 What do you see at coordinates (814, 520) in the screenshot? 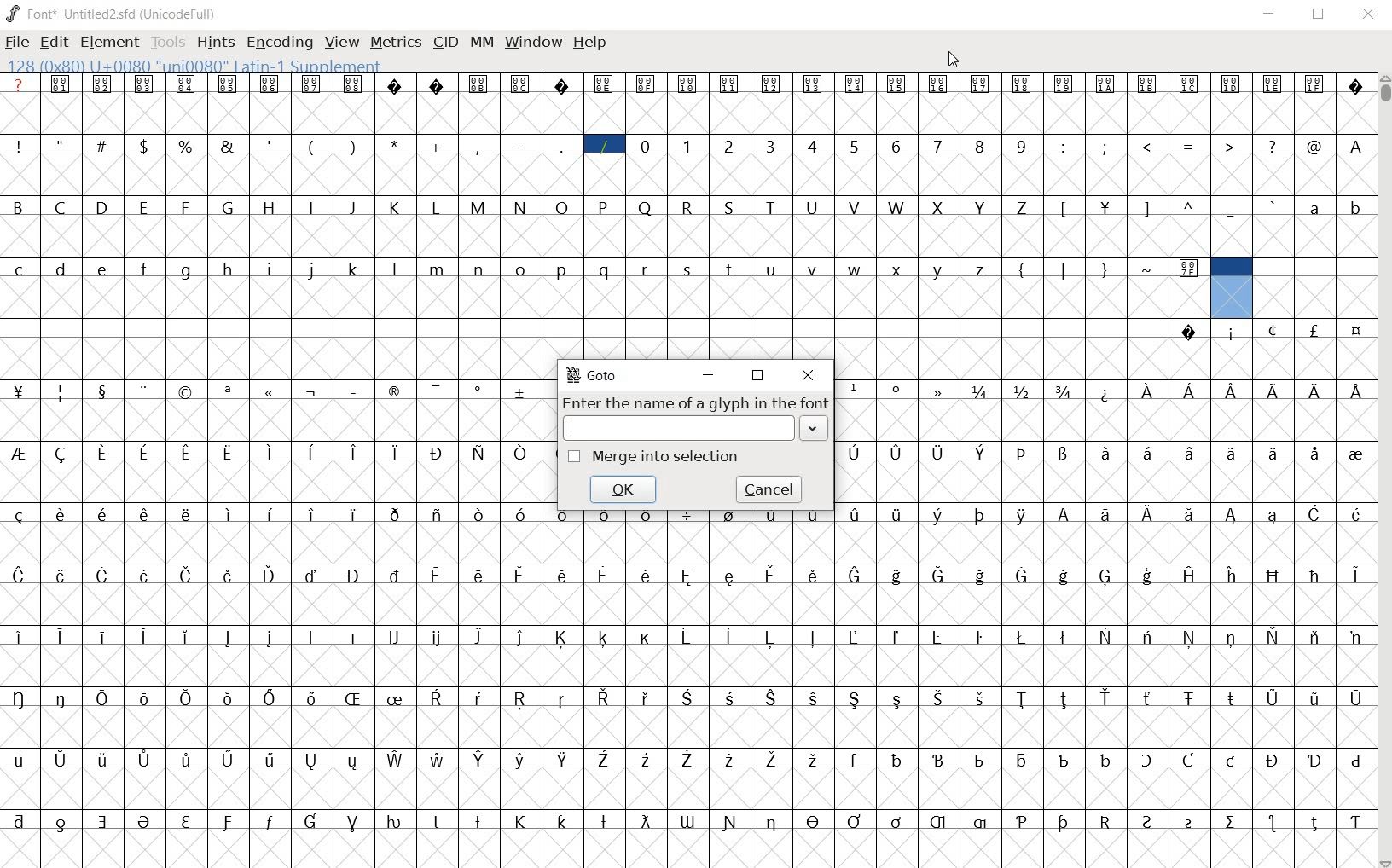
I see `Symbol` at bounding box center [814, 520].